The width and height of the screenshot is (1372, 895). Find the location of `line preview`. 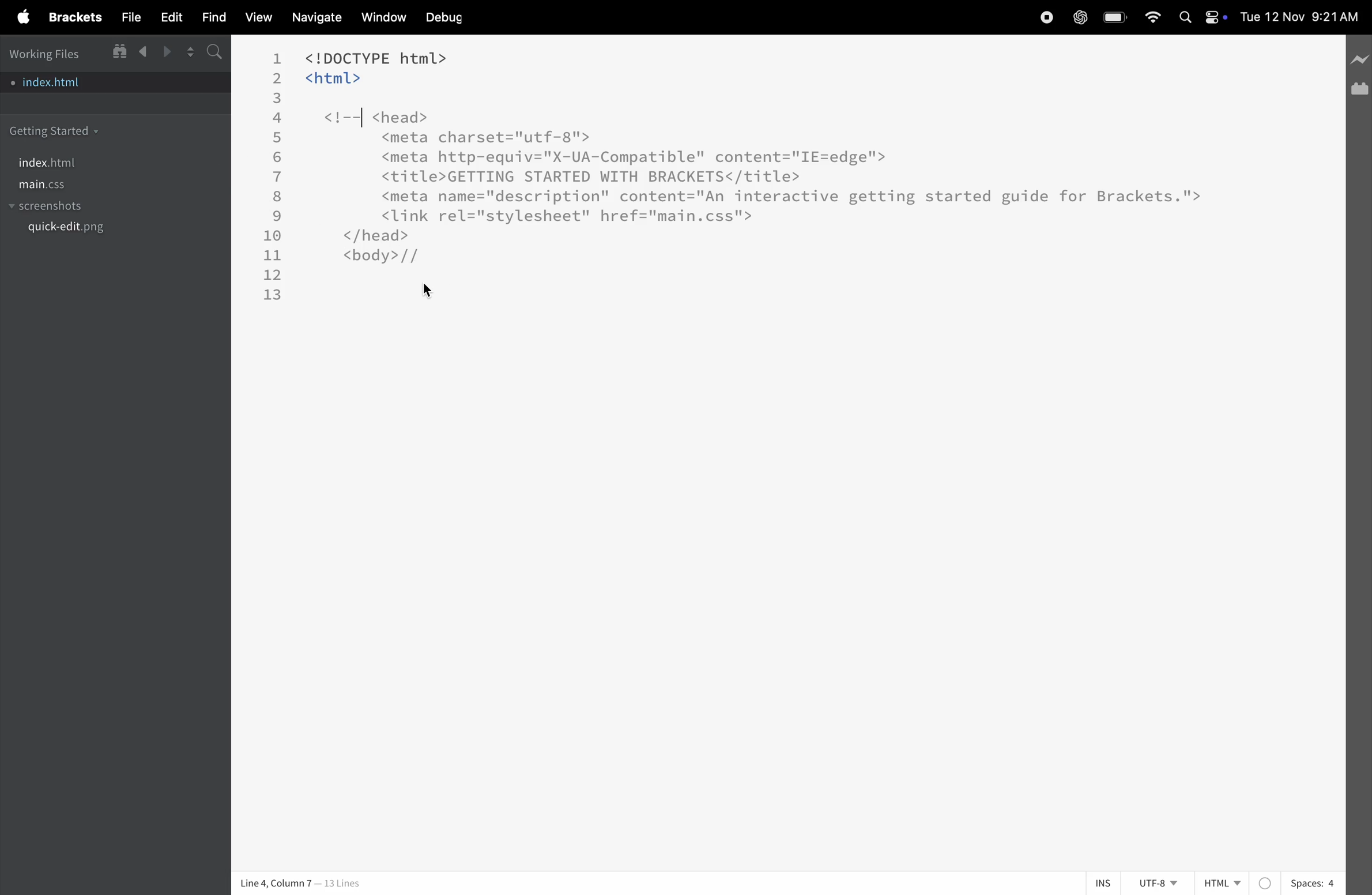

line preview is located at coordinates (1359, 60).